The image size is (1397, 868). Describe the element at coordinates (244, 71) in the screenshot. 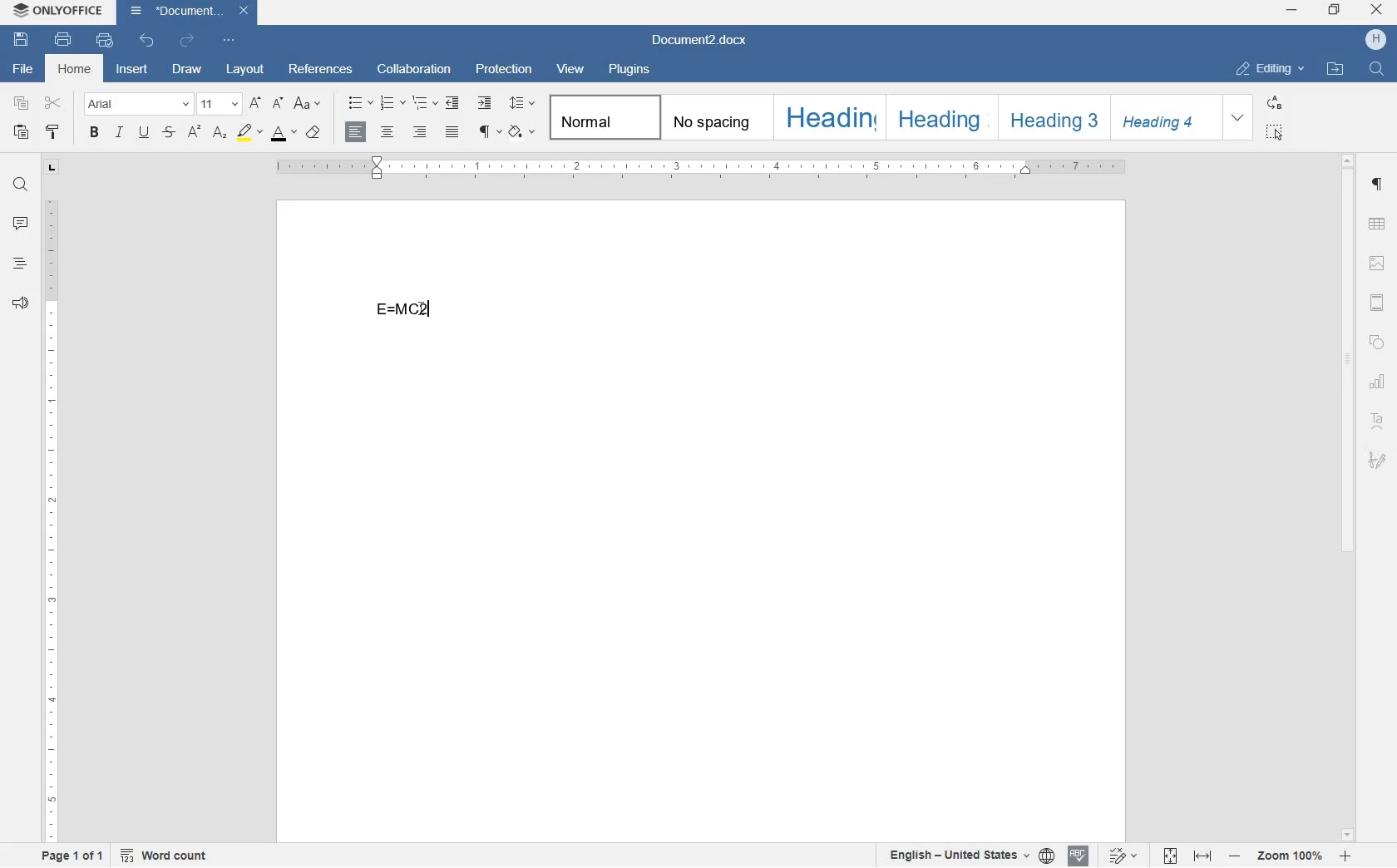

I see `layout` at that location.